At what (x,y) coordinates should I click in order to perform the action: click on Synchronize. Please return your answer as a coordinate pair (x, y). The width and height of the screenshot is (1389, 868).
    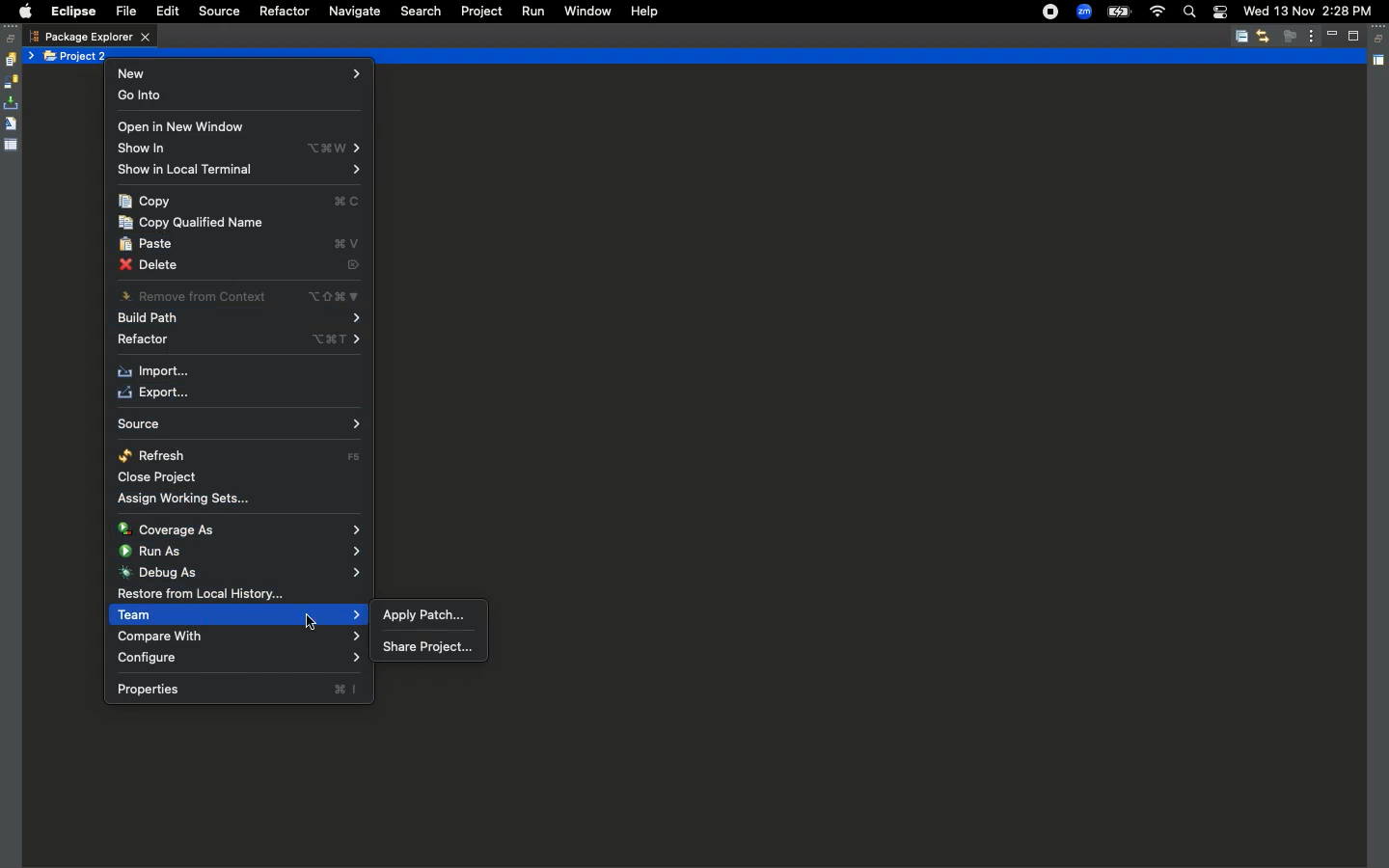
    Looking at the image, I should click on (11, 82).